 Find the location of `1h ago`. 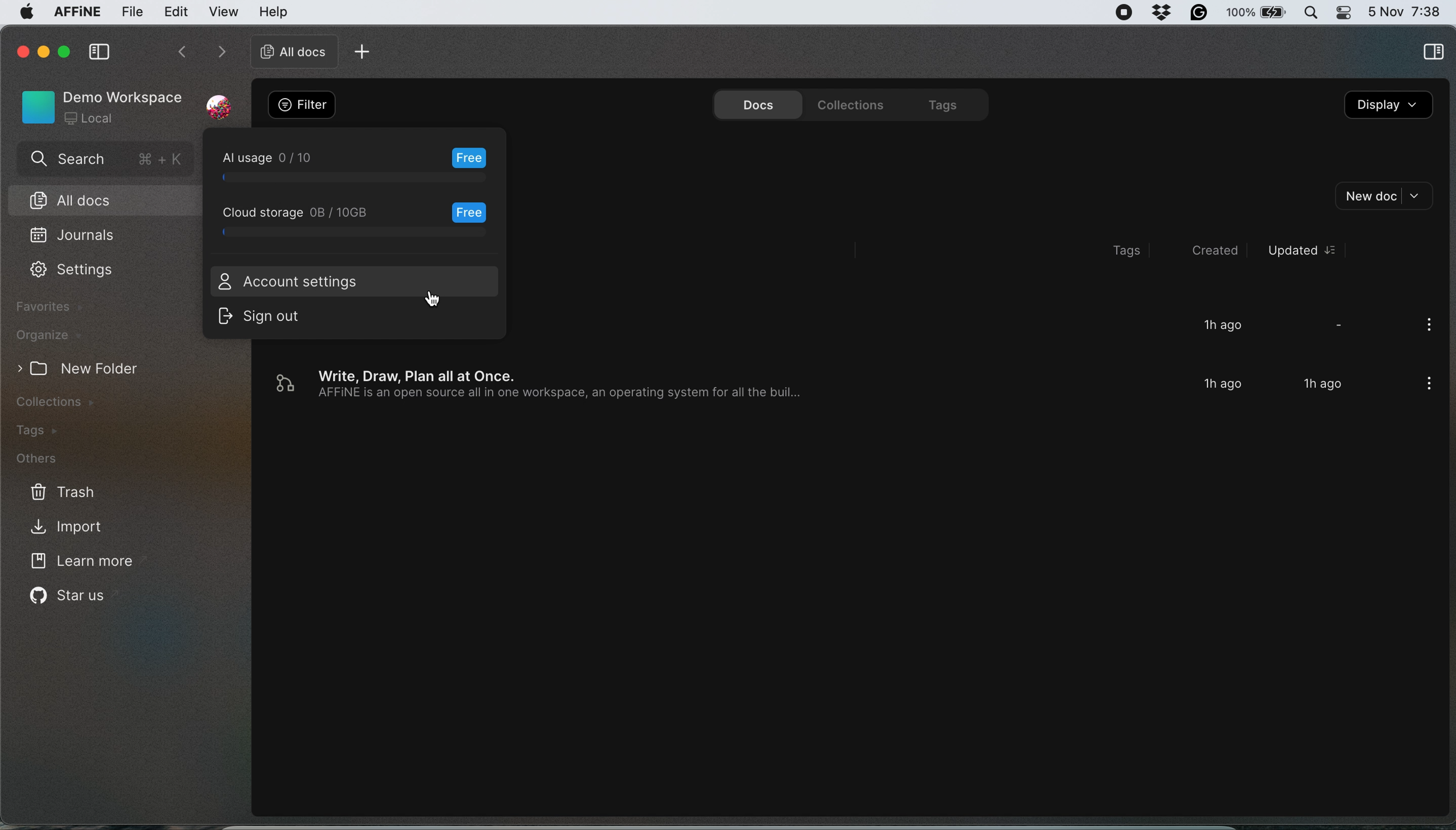

1h ago is located at coordinates (1222, 326).